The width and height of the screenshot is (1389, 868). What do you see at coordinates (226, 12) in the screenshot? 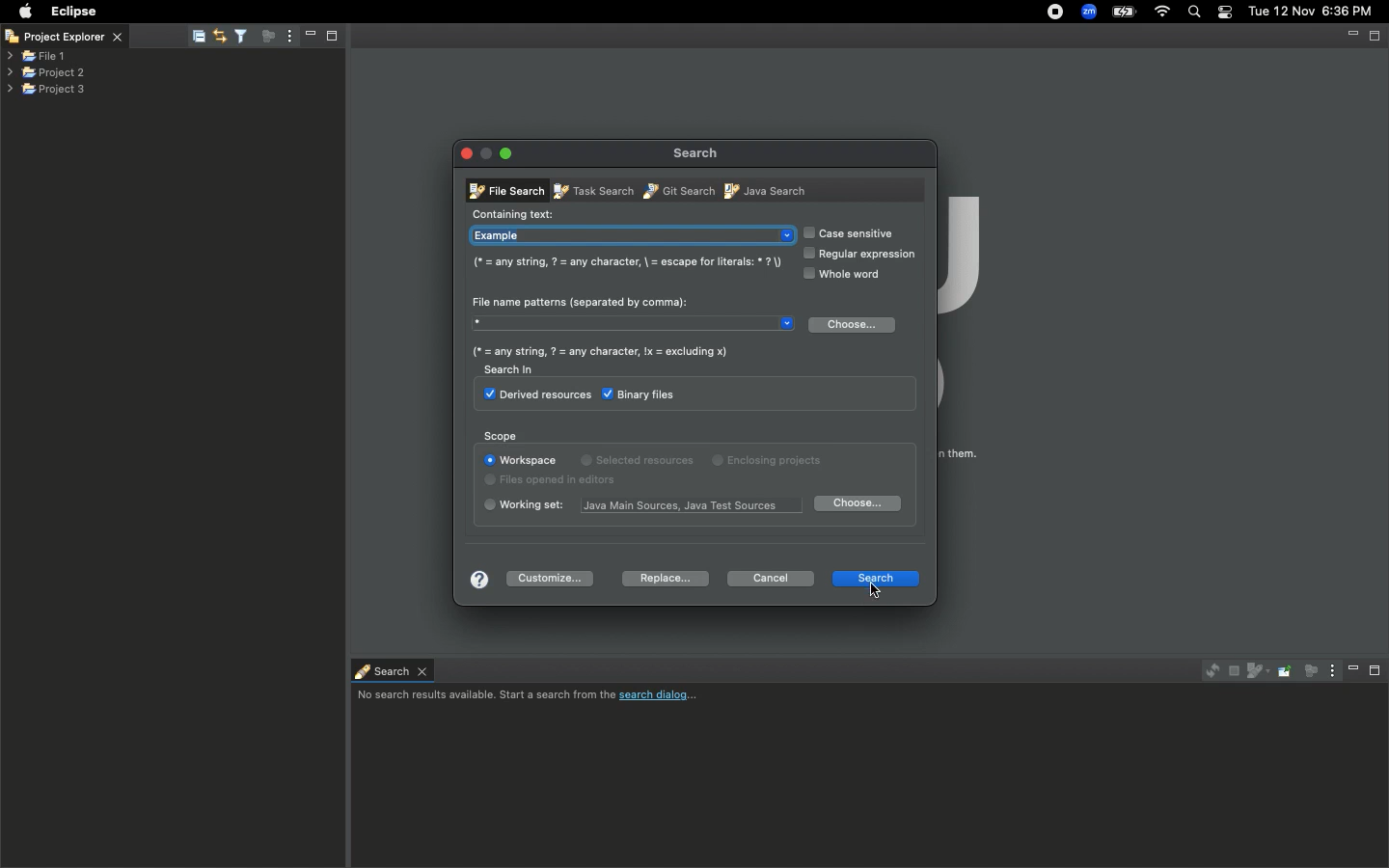
I see `Navigate` at bounding box center [226, 12].